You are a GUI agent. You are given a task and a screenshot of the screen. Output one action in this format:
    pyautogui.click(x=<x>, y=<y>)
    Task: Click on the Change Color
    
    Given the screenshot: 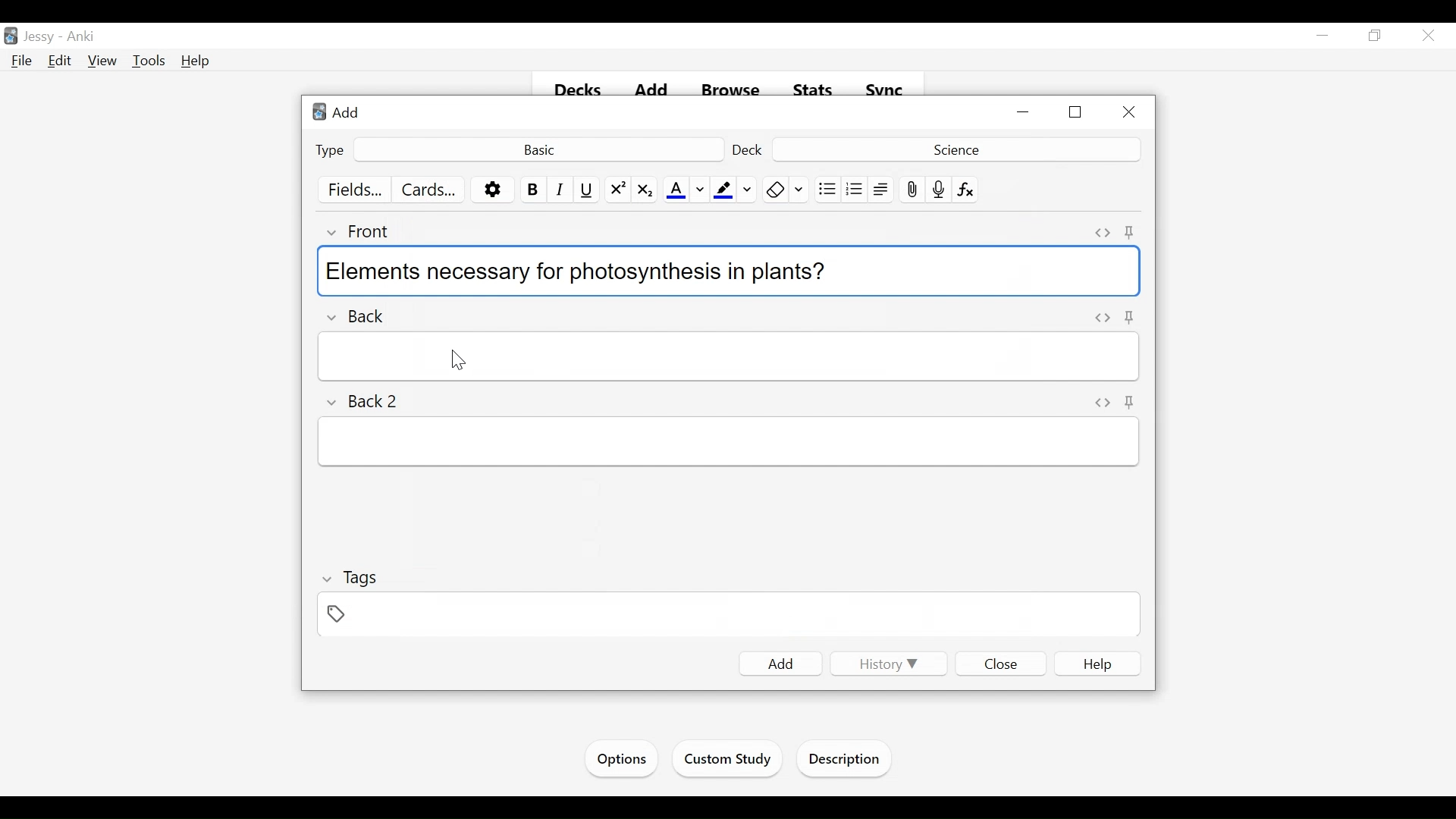 What is the action you would take?
    pyautogui.click(x=748, y=190)
    